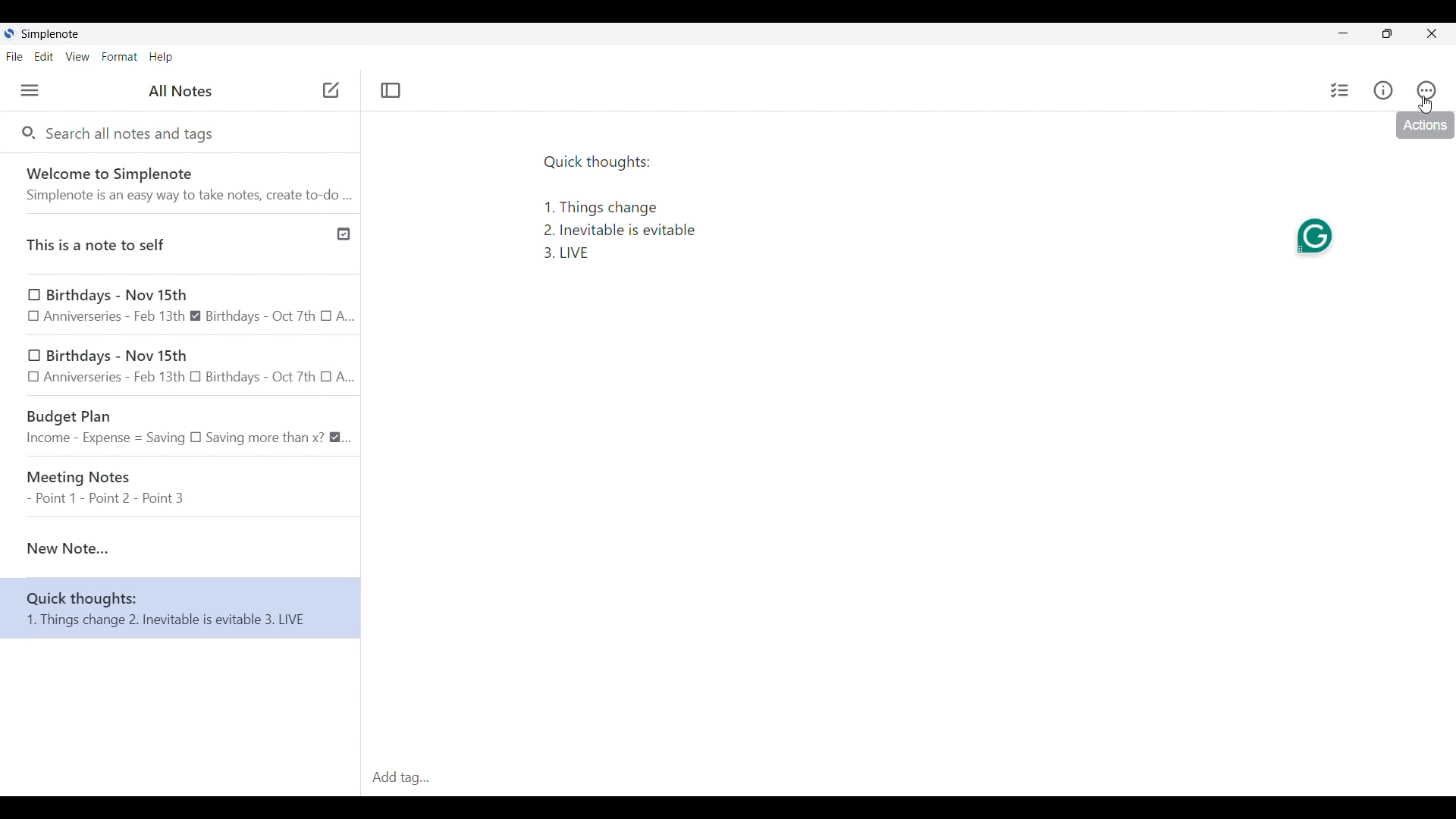 The width and height of the screenshot is (1456, 819). What do you see at coordinates (15, 56) in the screenshot?
I see `File menu` at bounding box center [15, 56].